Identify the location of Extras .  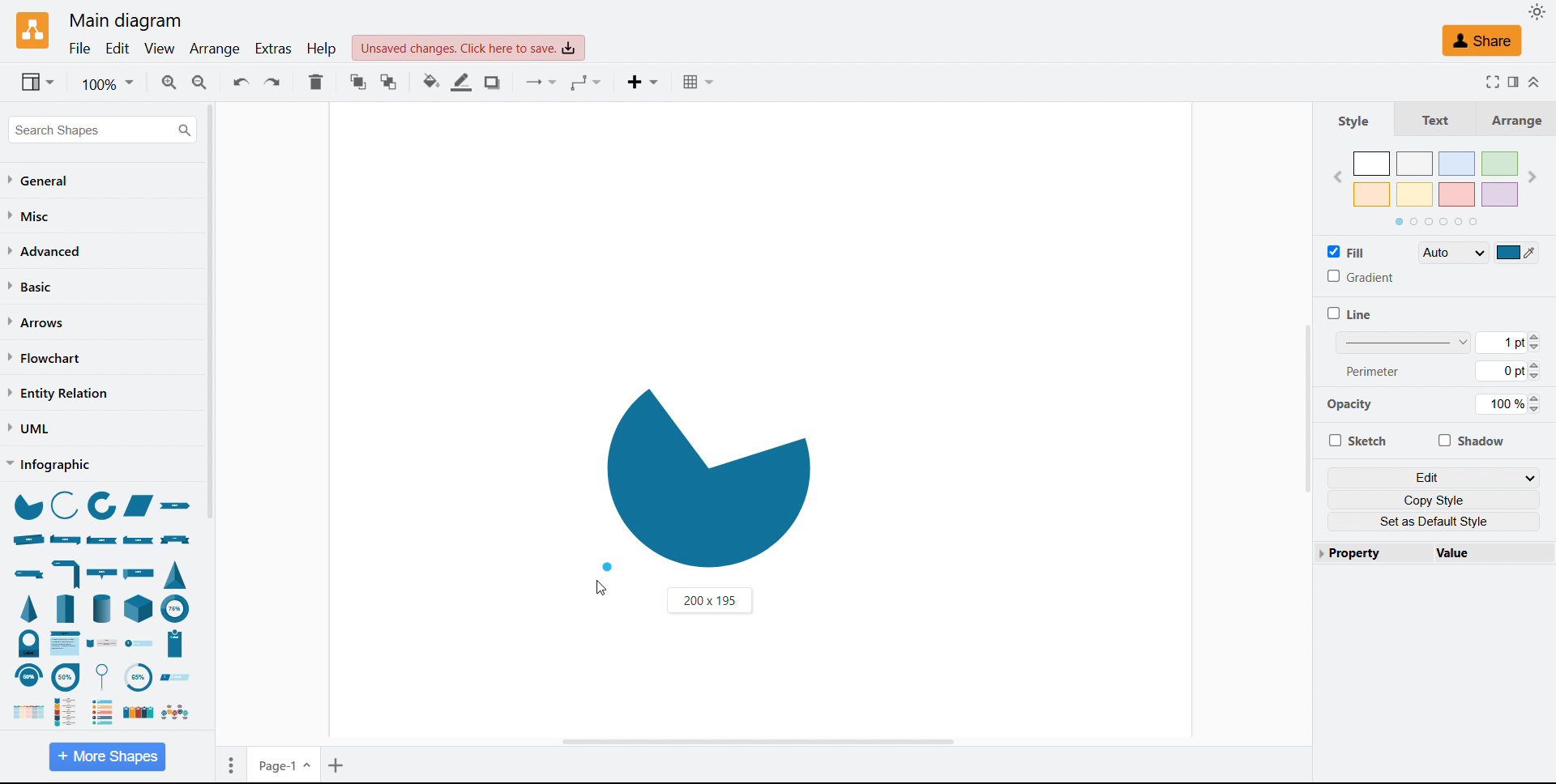
(275, 49).